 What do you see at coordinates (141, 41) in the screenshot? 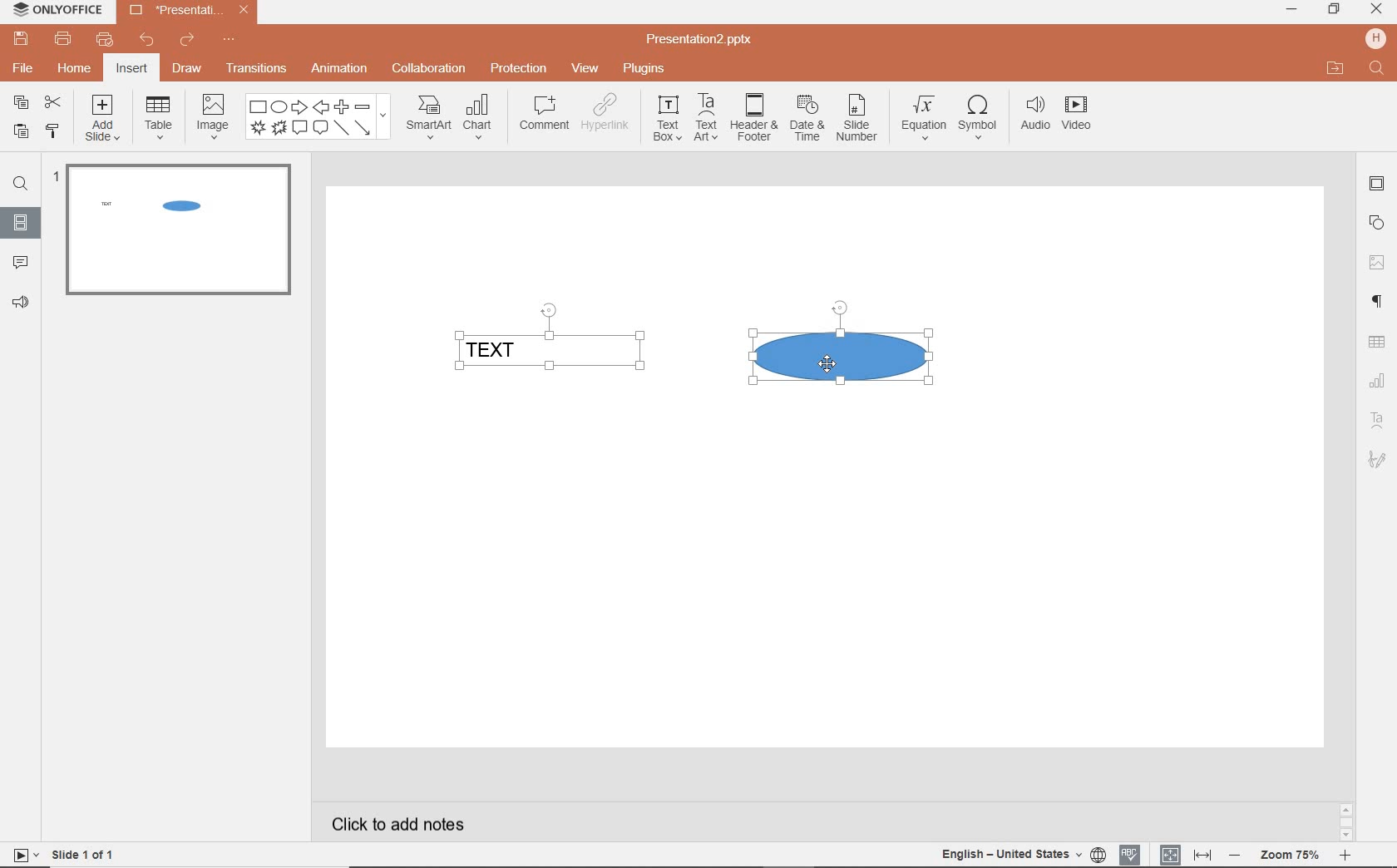
I see `undo` at bounding box center [141, 41].